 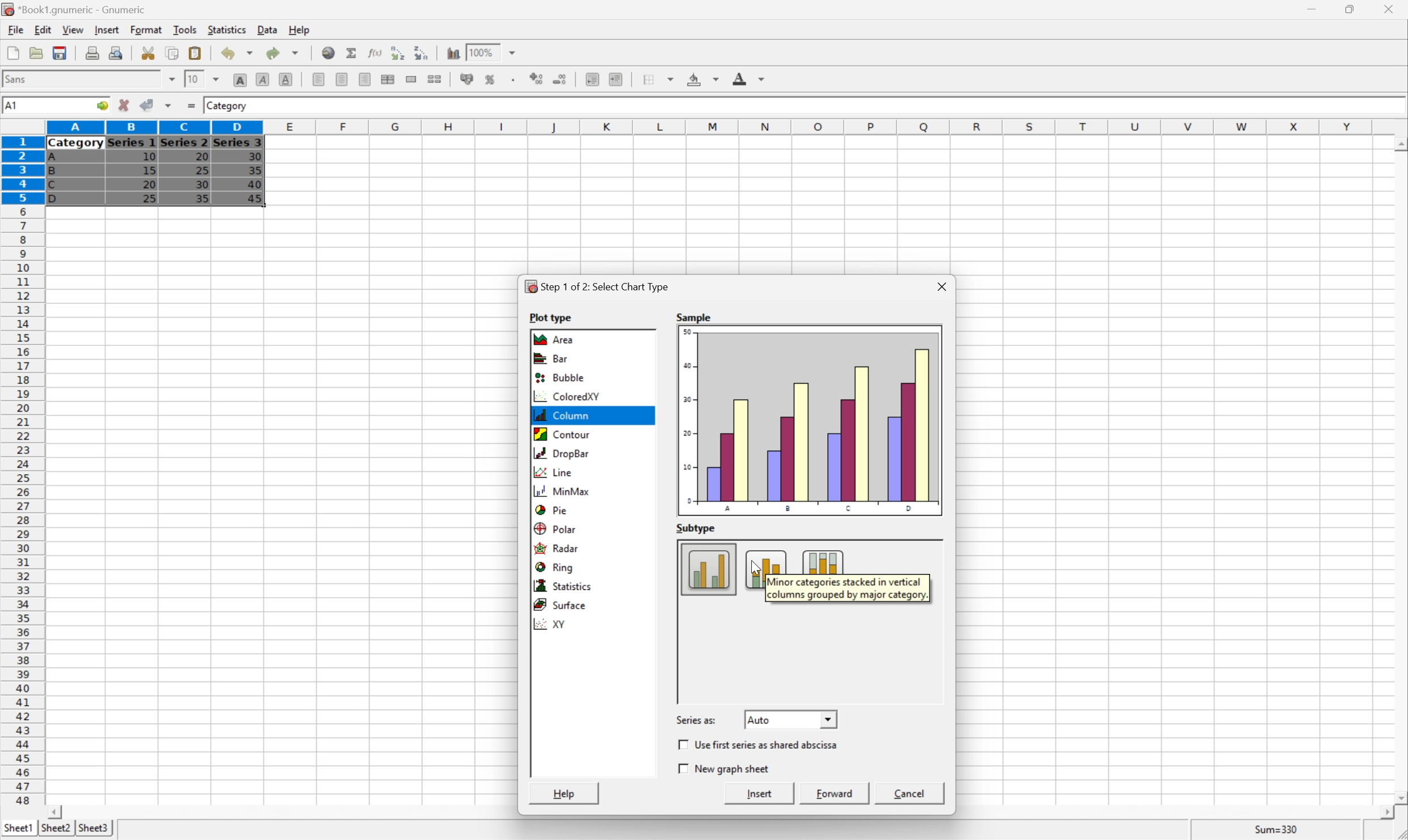 What do you see at coordinates (844, 582) in the screenshot?
I see `Minor categories stacked in vertical` at bounding box center [844, 582].